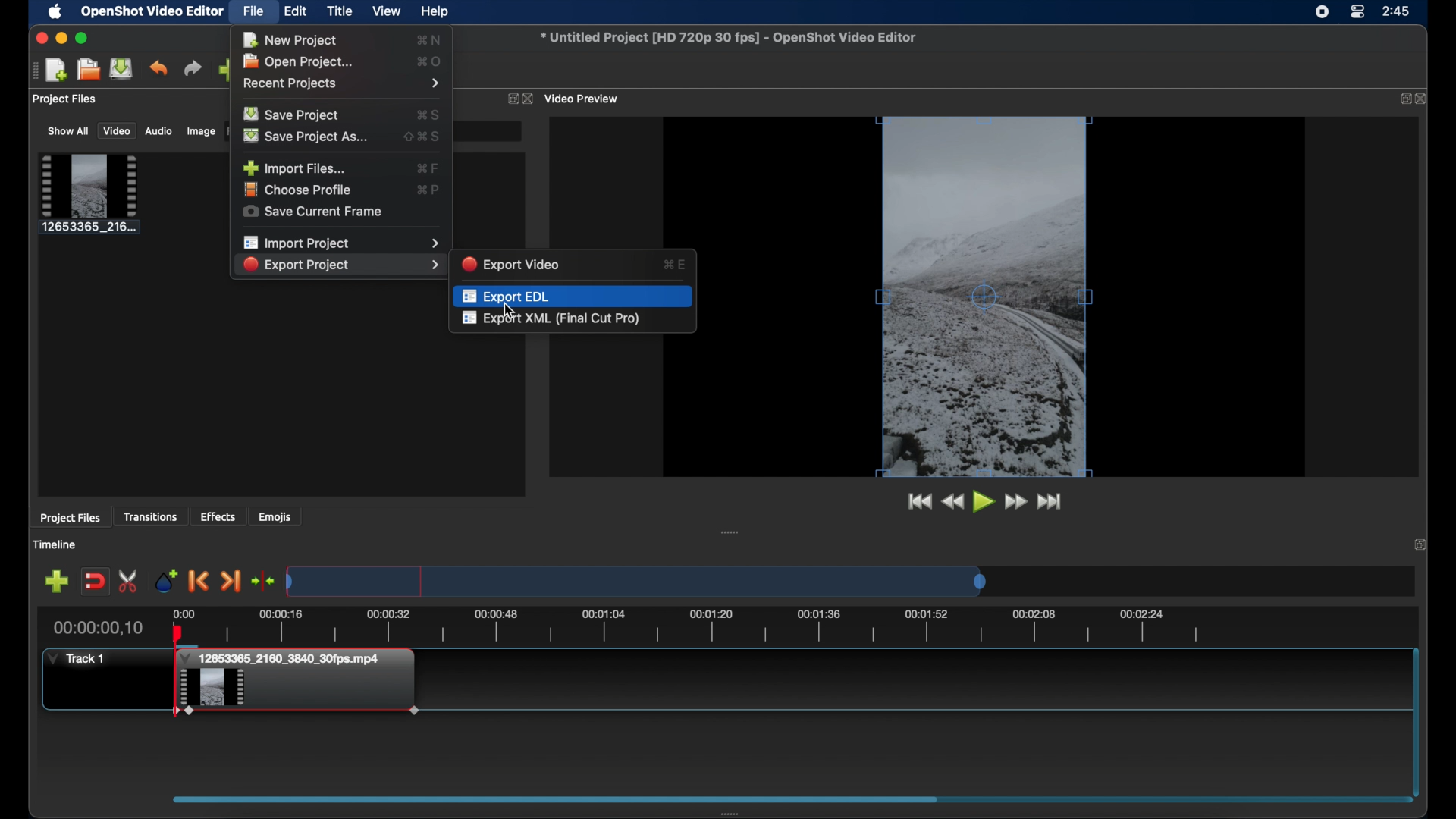 The image size is (1456, 819). What do you see at coordinates (1321, 14) in the screenshot?
I see `screen recorder icon` at bounding box center [1321, 14].